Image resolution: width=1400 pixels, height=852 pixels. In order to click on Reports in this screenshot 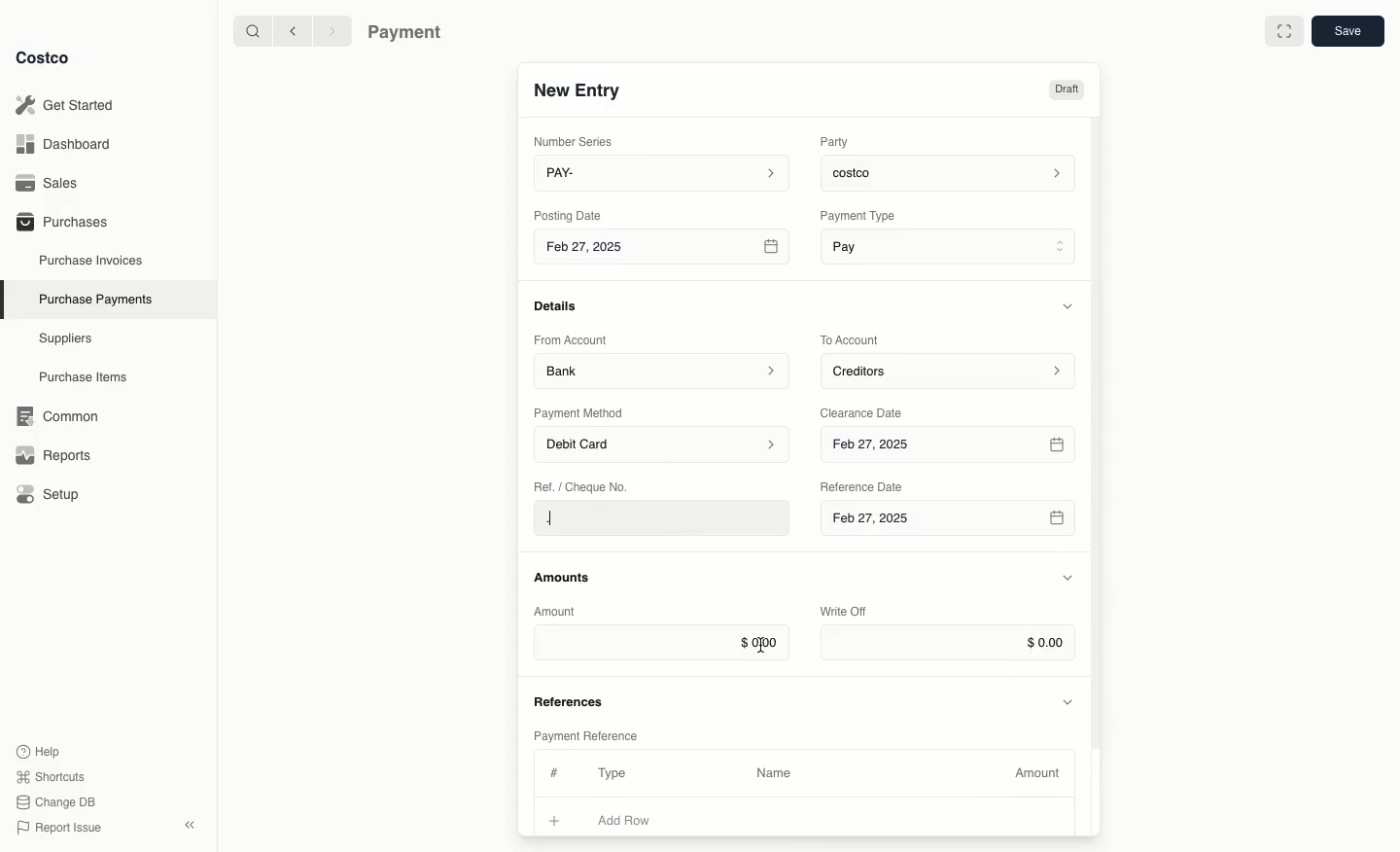, I will do `click(51, 452)`.